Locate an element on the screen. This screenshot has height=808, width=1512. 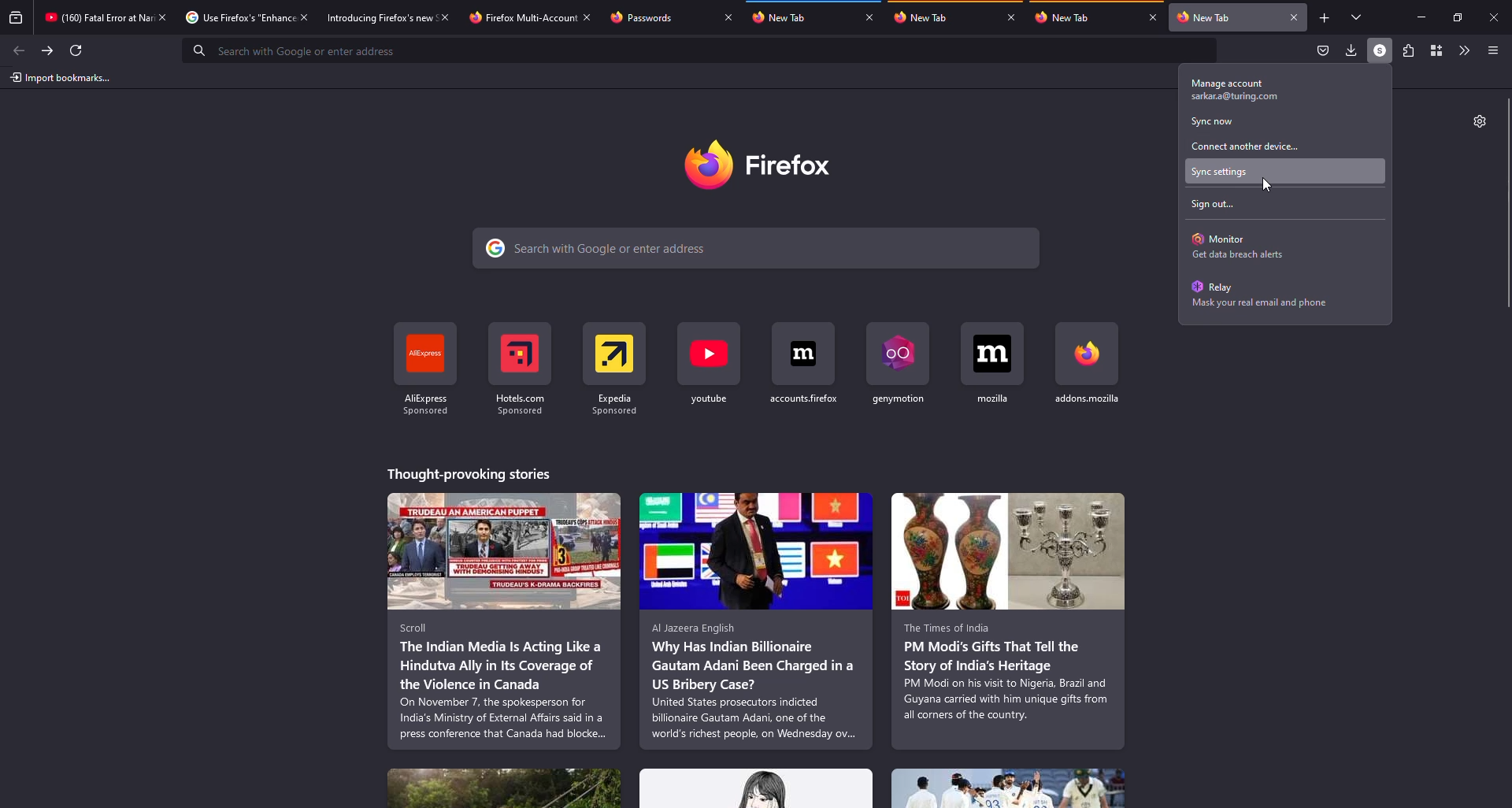
cursor is located at coordinates (1266, 185).